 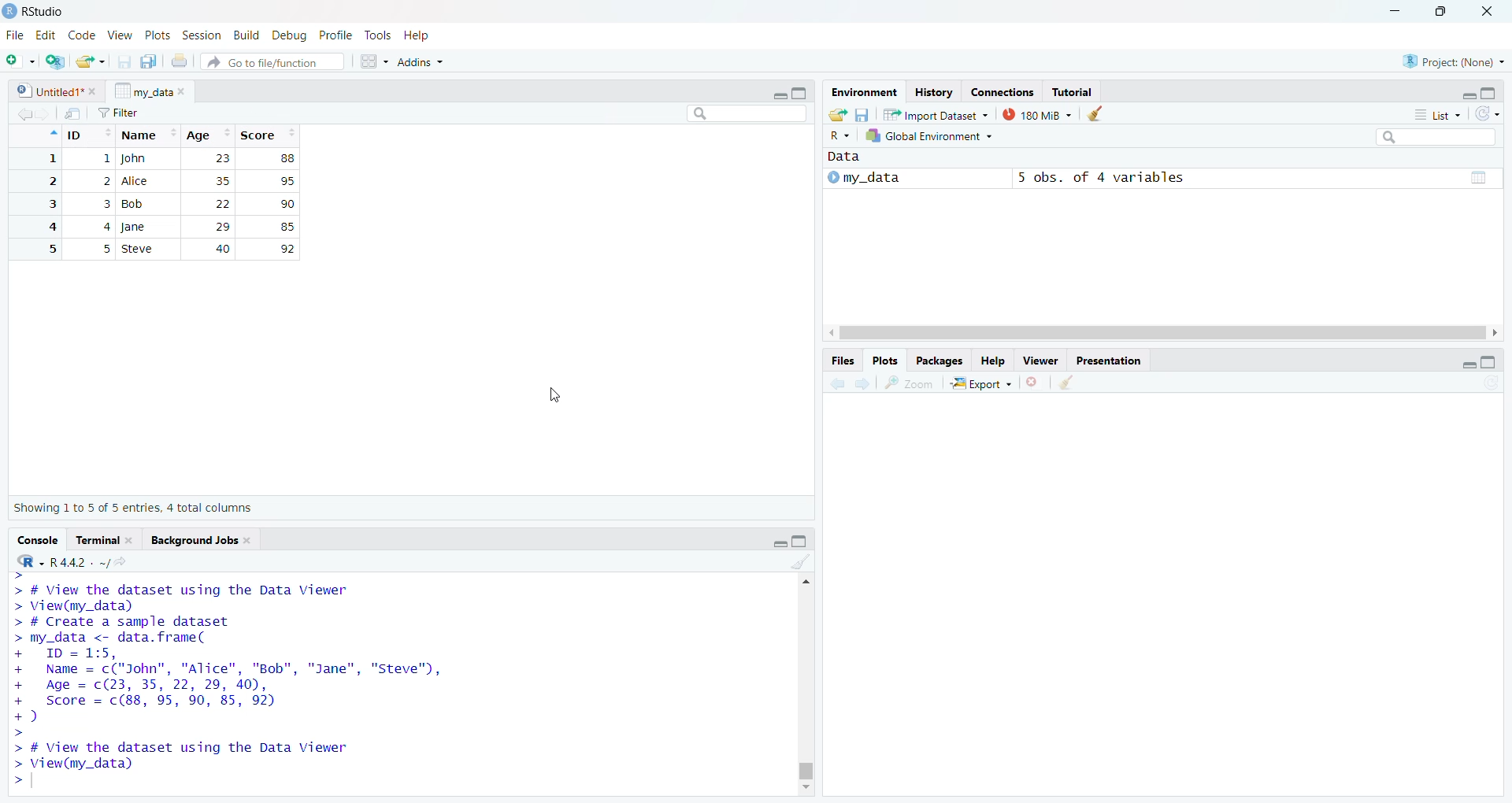 I want to click on Zoom, so click(x=232, y=114).